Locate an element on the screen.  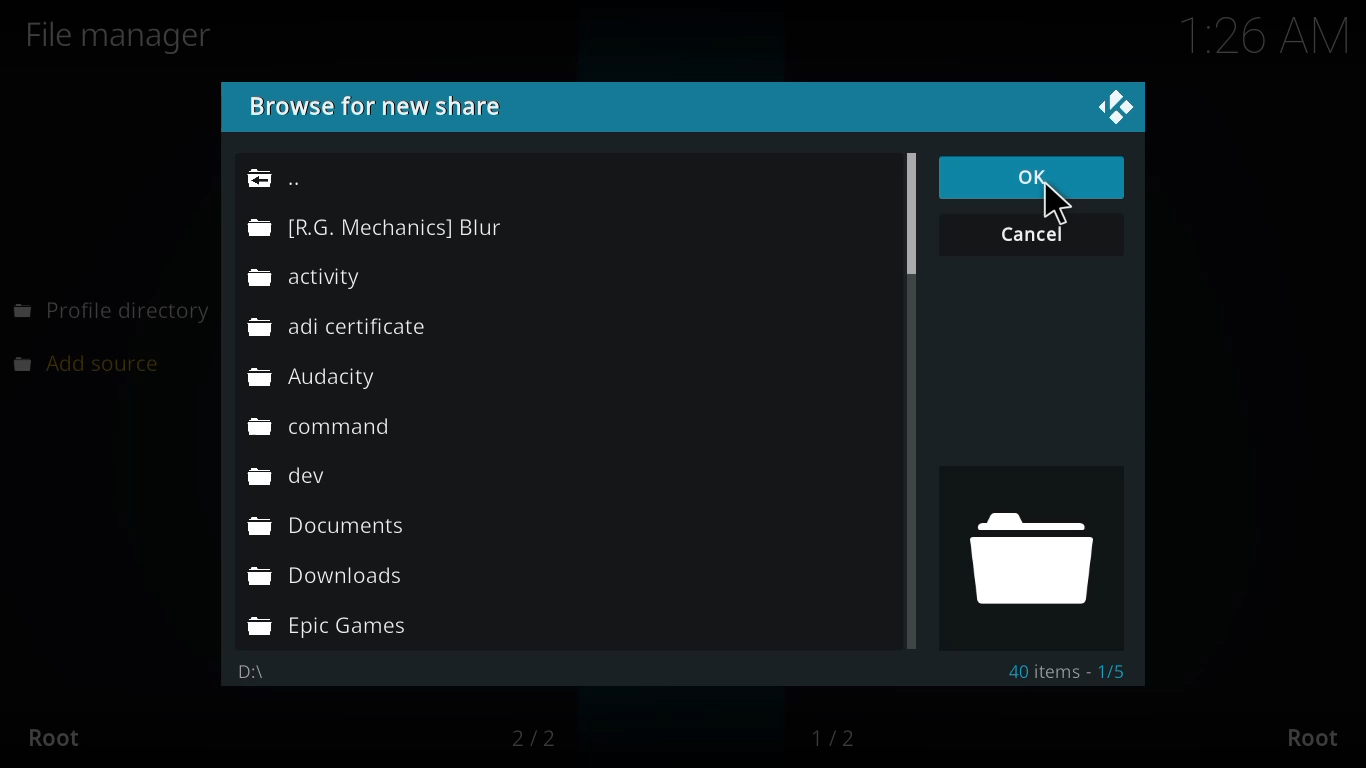
40 items is located at coordinates (1067, 672).